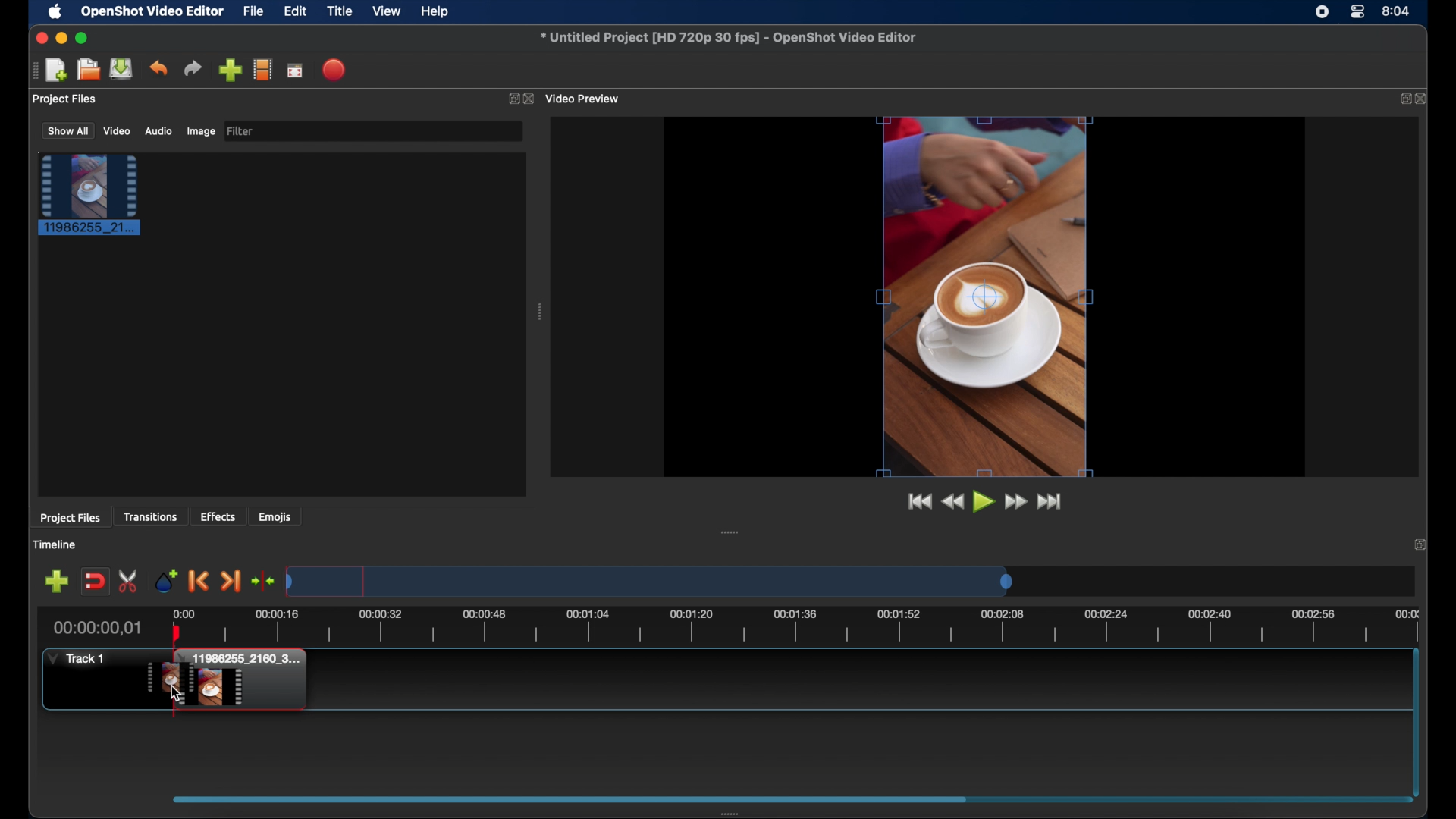 This screenshot has width=1456, height=819. Describe the element at coordinates (295, 69) in the screenshot. I see `full screen` at that location.